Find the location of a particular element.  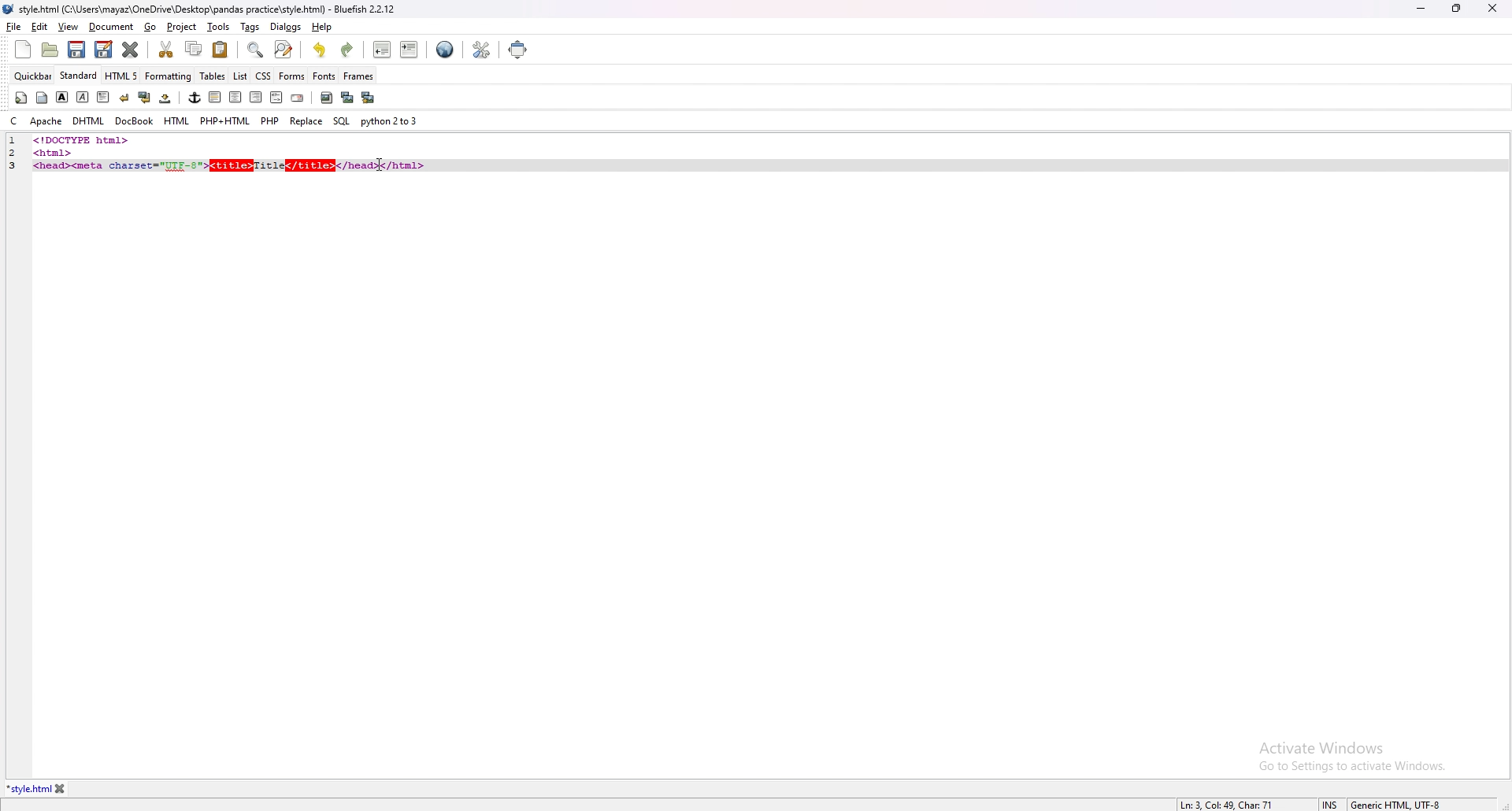

copy is located at coordinates (195, 49).